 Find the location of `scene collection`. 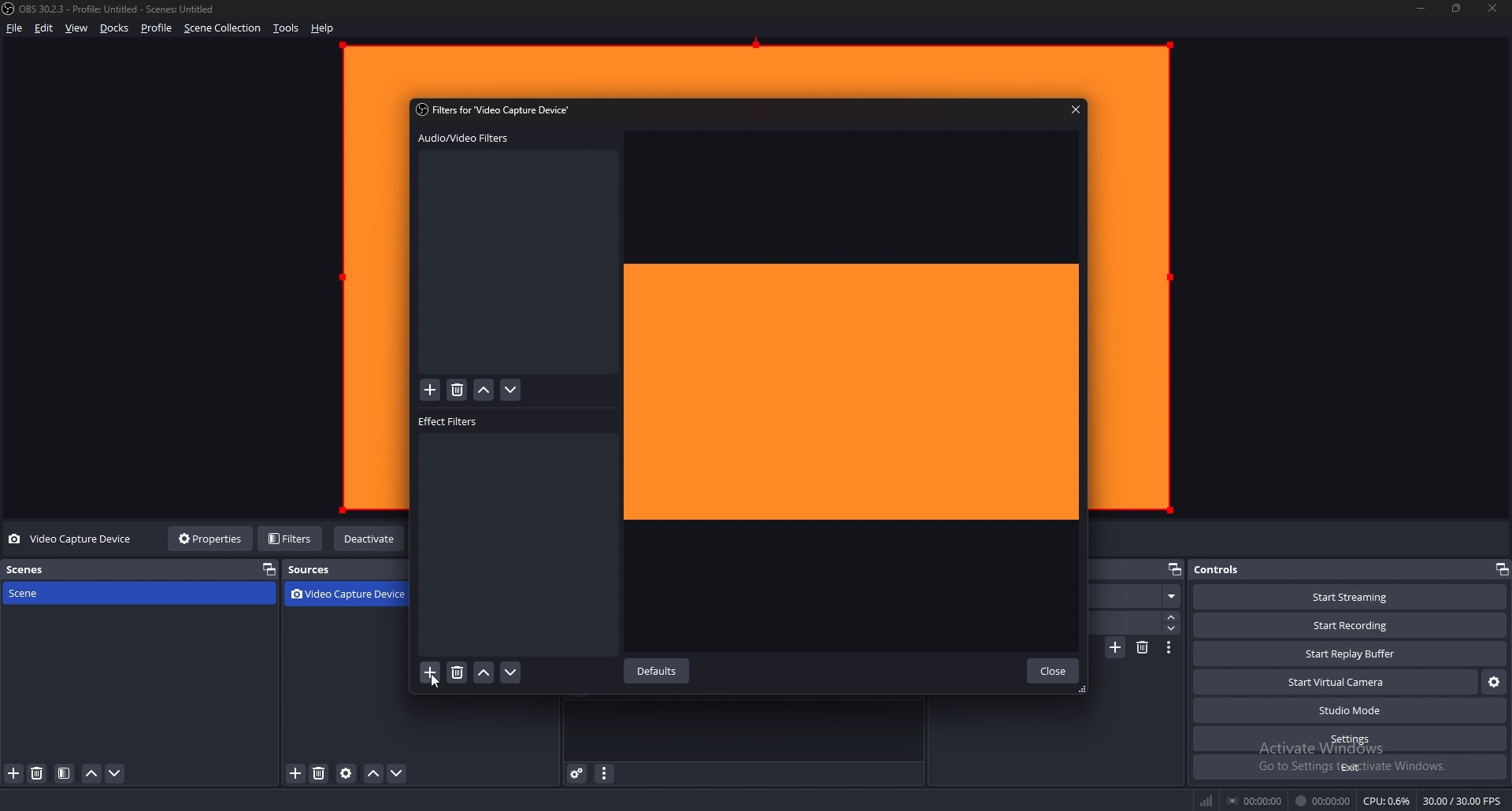

scene collection is located at coordinates (223, 28).